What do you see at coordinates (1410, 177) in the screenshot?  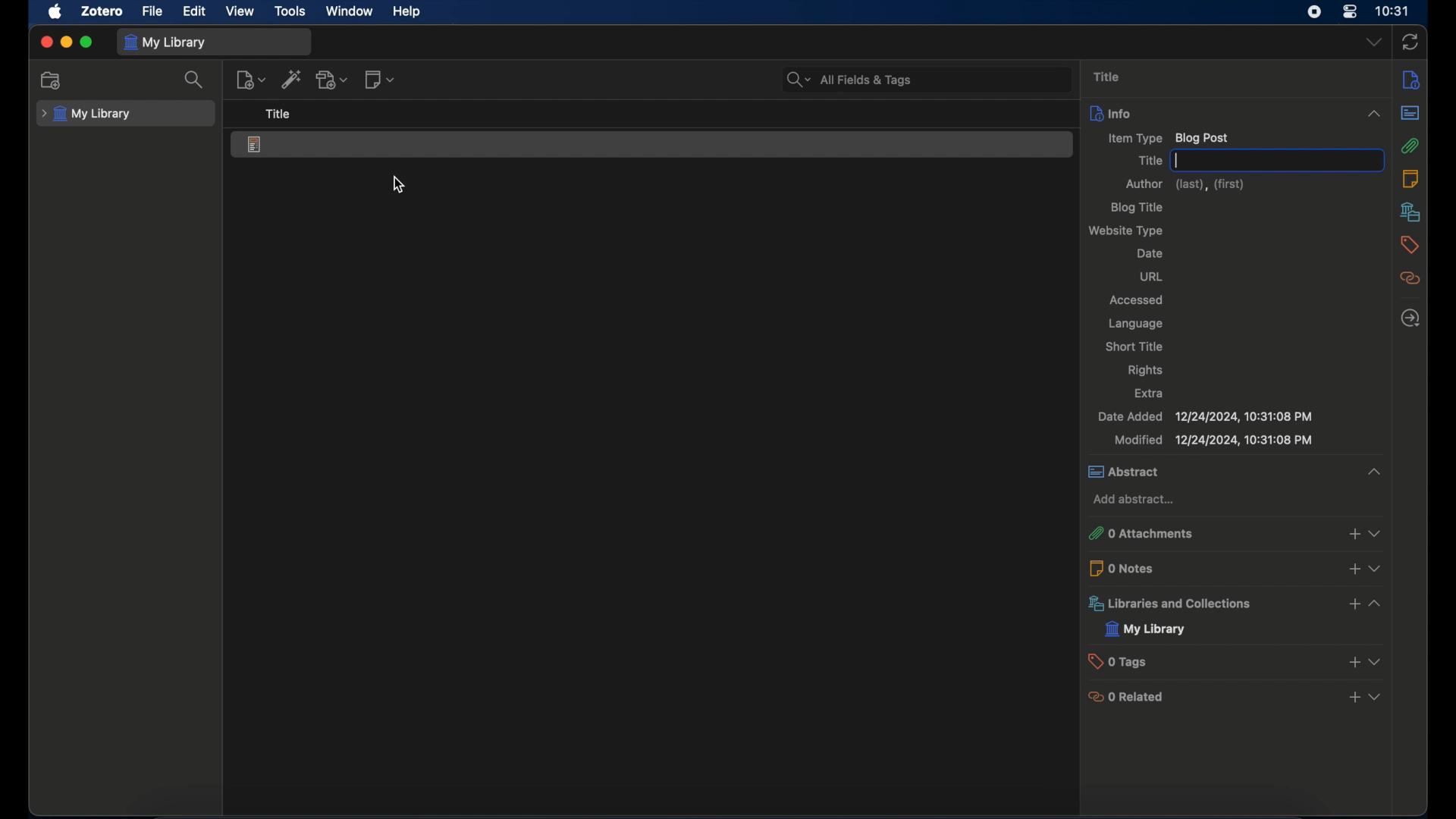 I see `notes` at bounding box center [1410, 177].